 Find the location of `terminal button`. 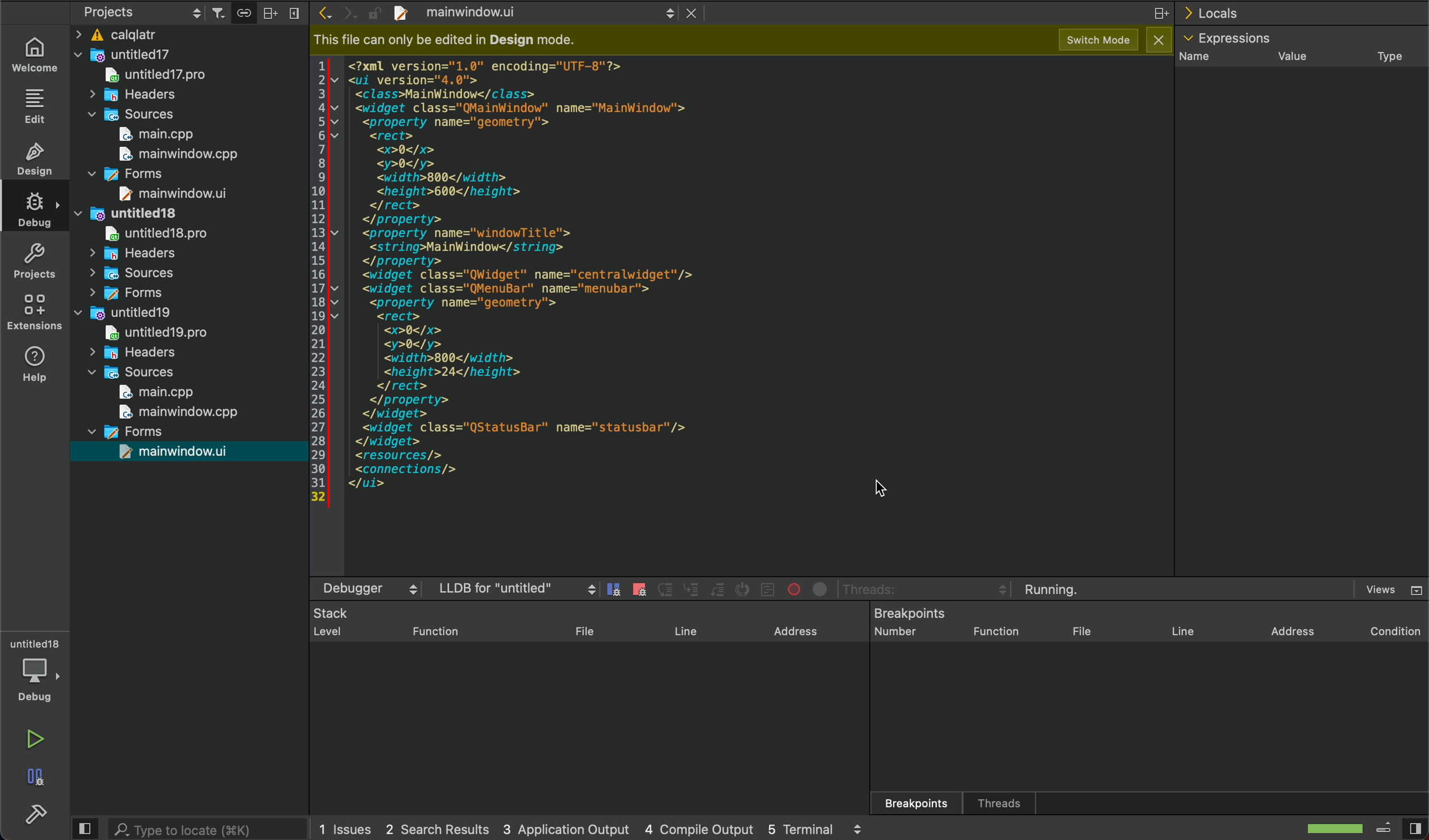

terminal button is located at coordinates (745, 590).